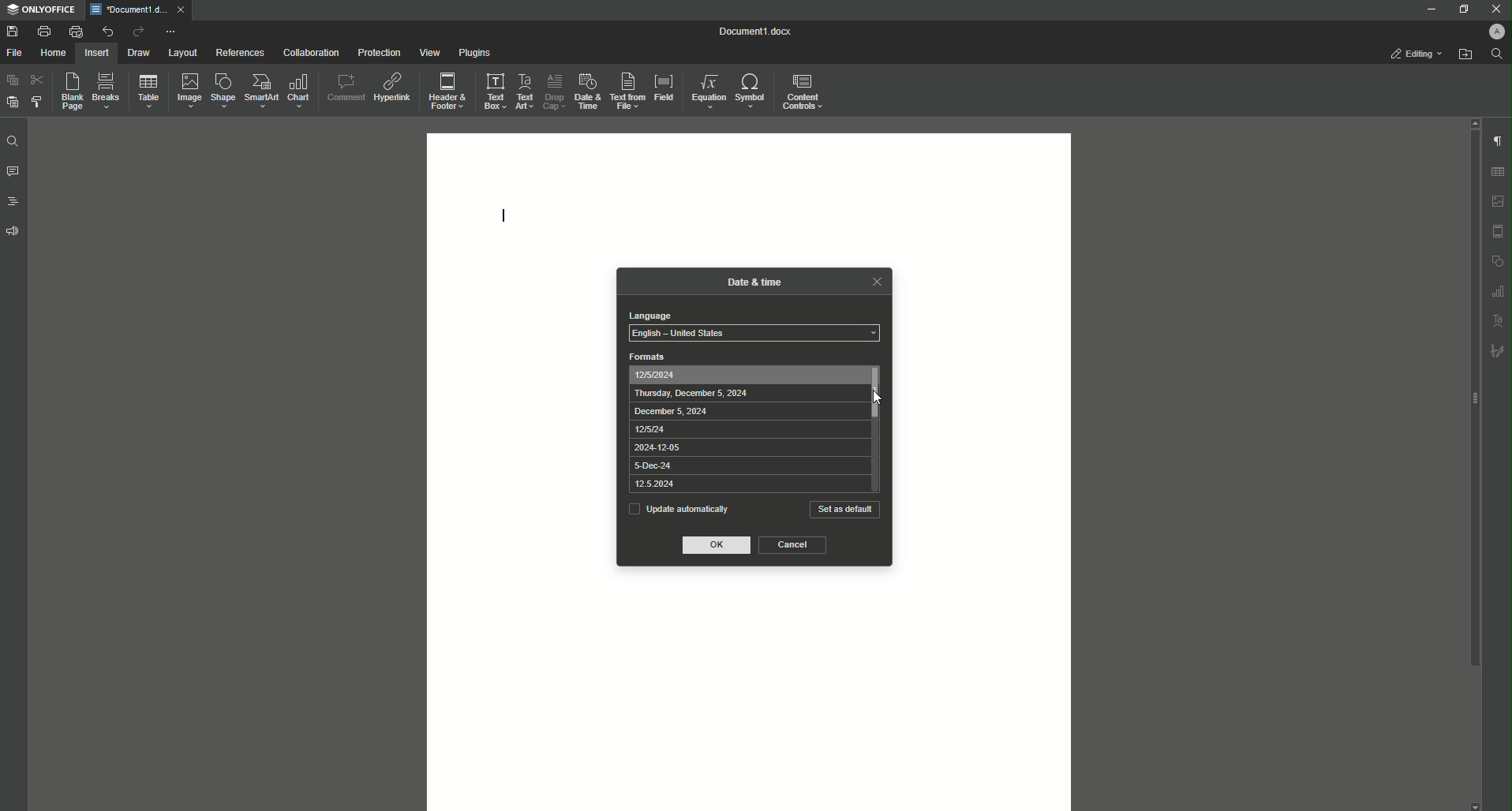 This screenshot has width=1512, height=811. Describe the element at coordinates (181, 9) in the screenshot. I see `close` at that location.